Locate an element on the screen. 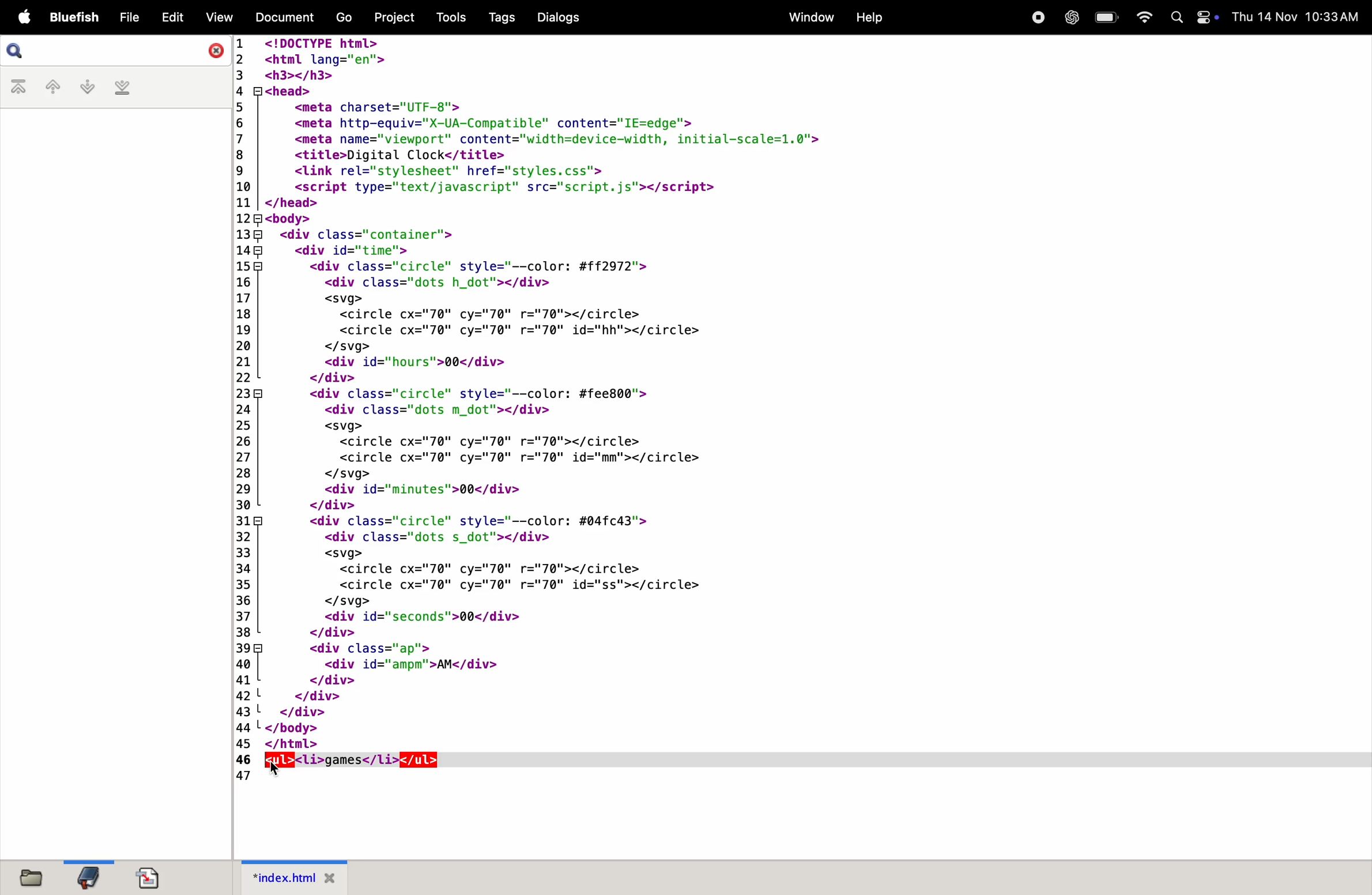 This screenshot has width=1372, height=895.  is located at coordinates (810, 18).